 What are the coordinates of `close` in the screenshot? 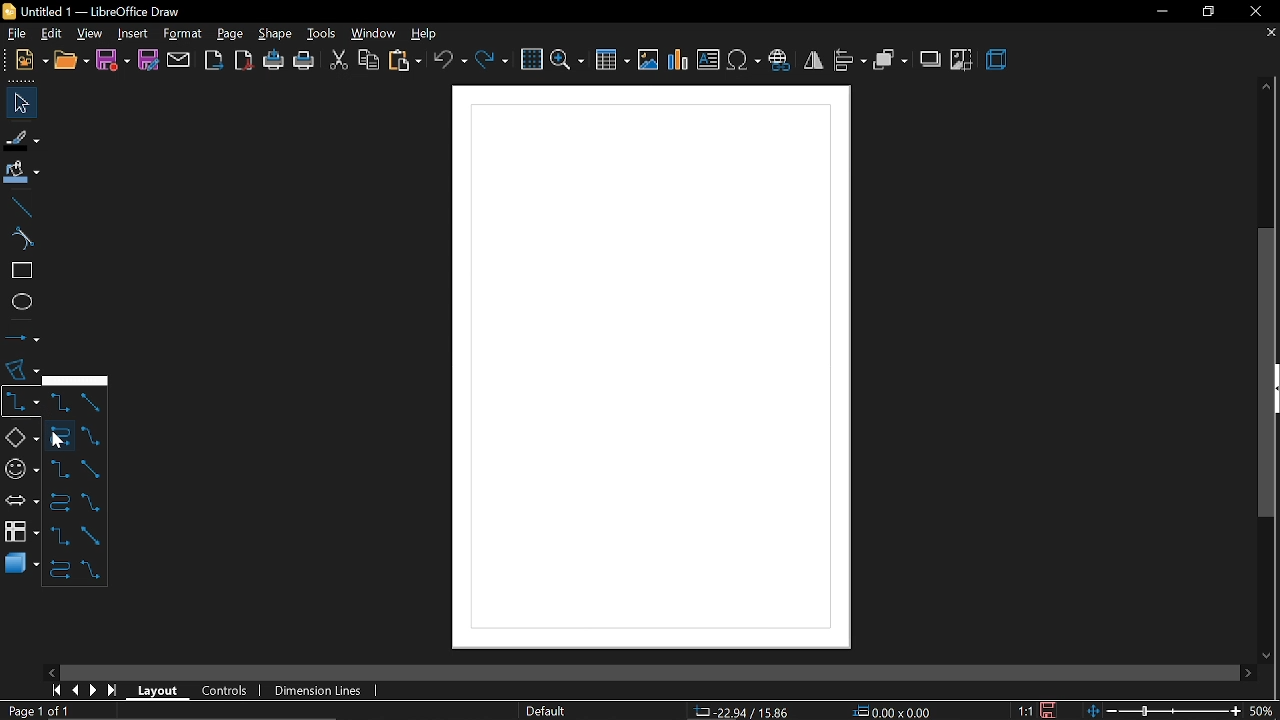 It's located at (1253, 11).